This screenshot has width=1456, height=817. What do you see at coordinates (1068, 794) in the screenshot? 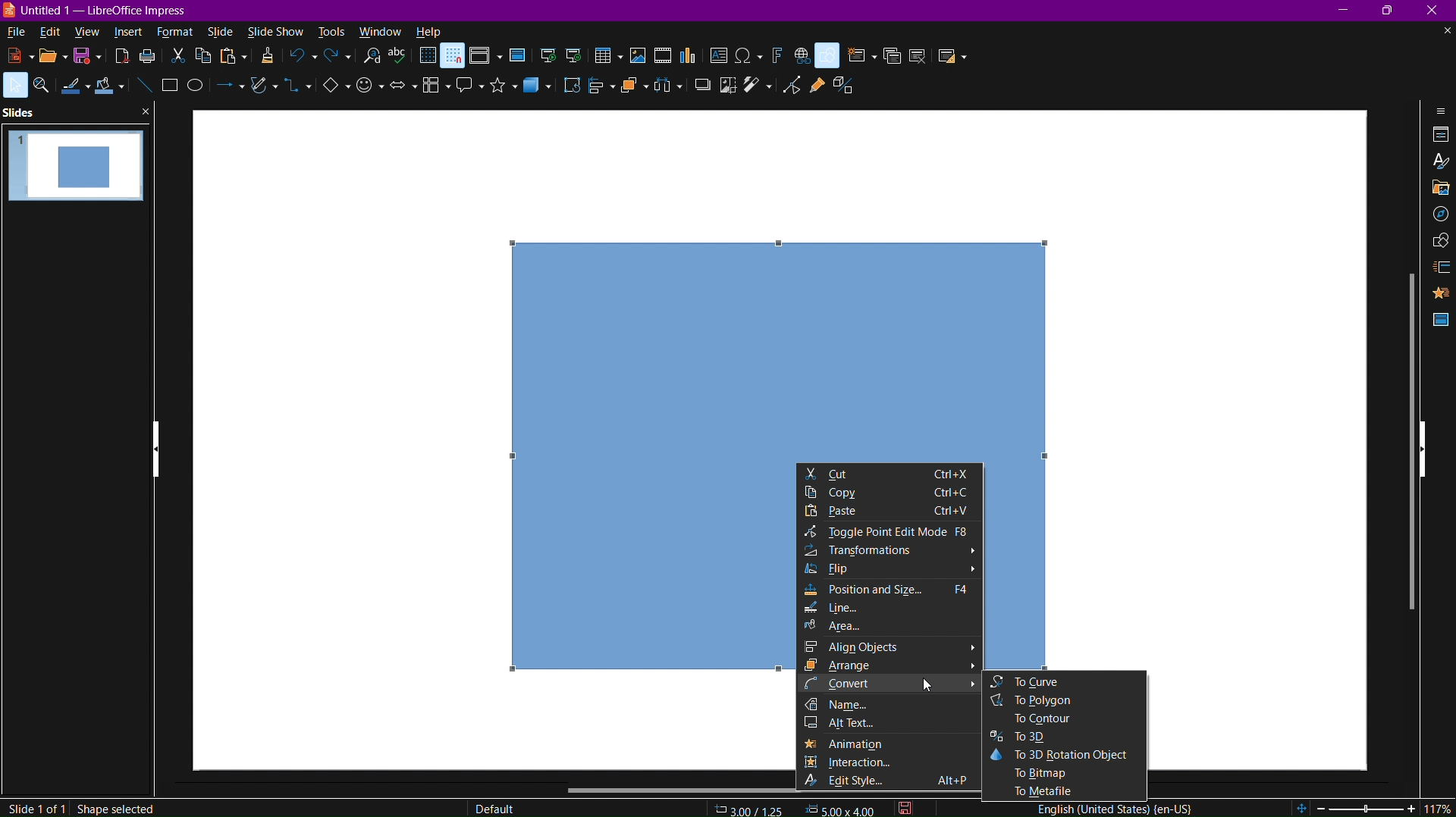
I see `To Metafile` at bounding box center [1068, 794].